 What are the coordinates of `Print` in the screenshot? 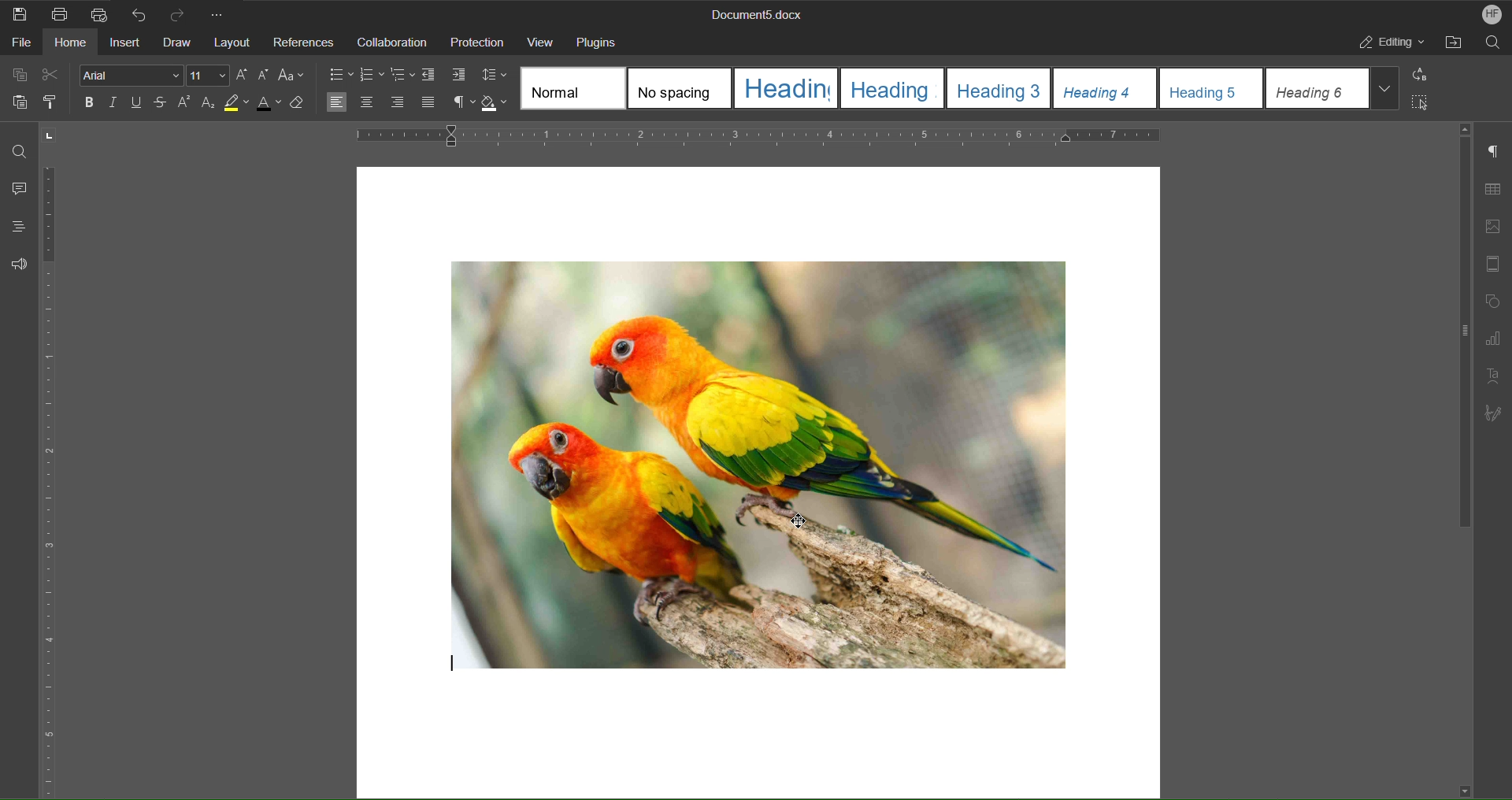 It's located at (61, 14).